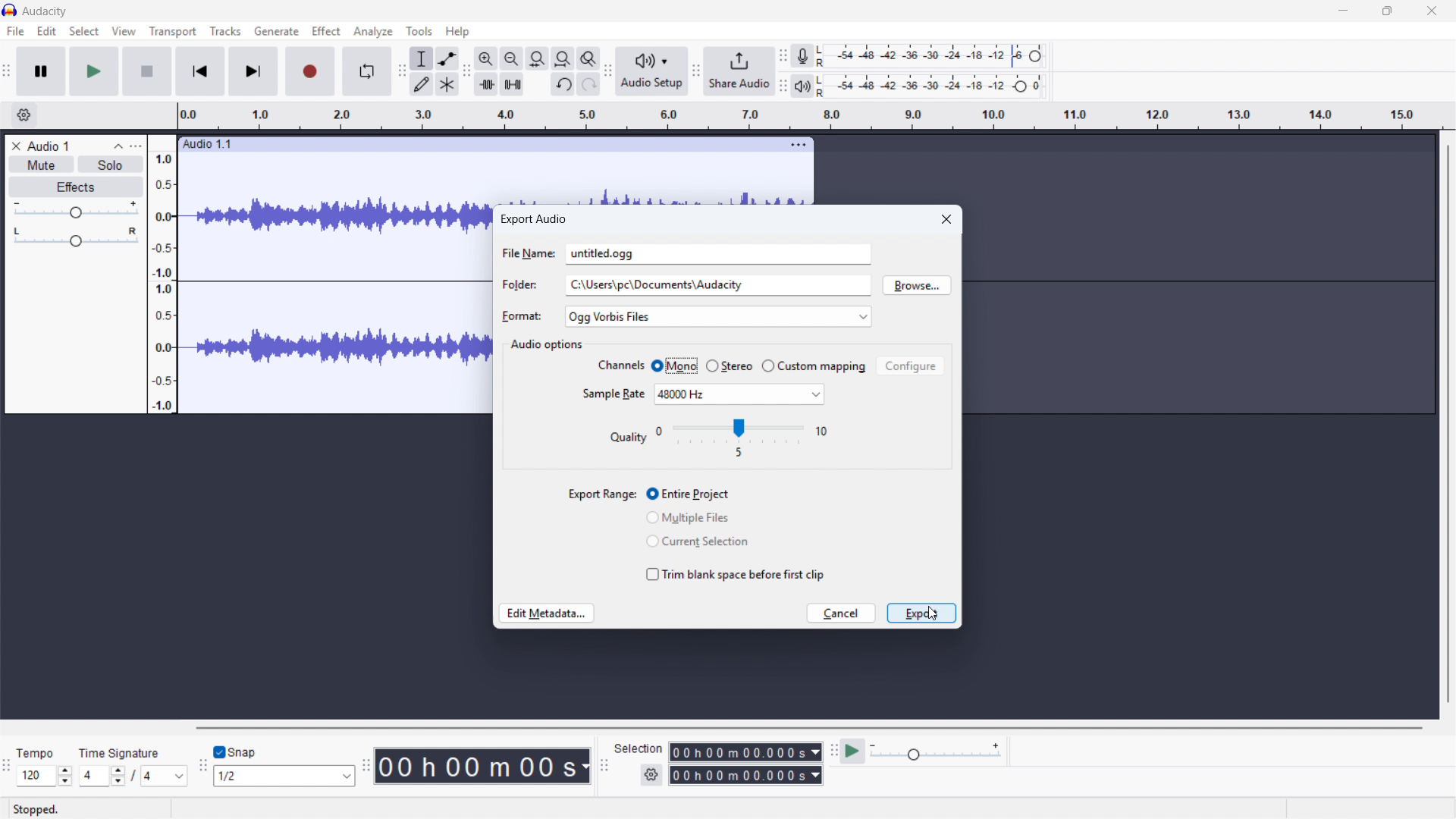  Describe the element at coordinates (71, 145) in the screenshot. I see `Track title ` at that location.